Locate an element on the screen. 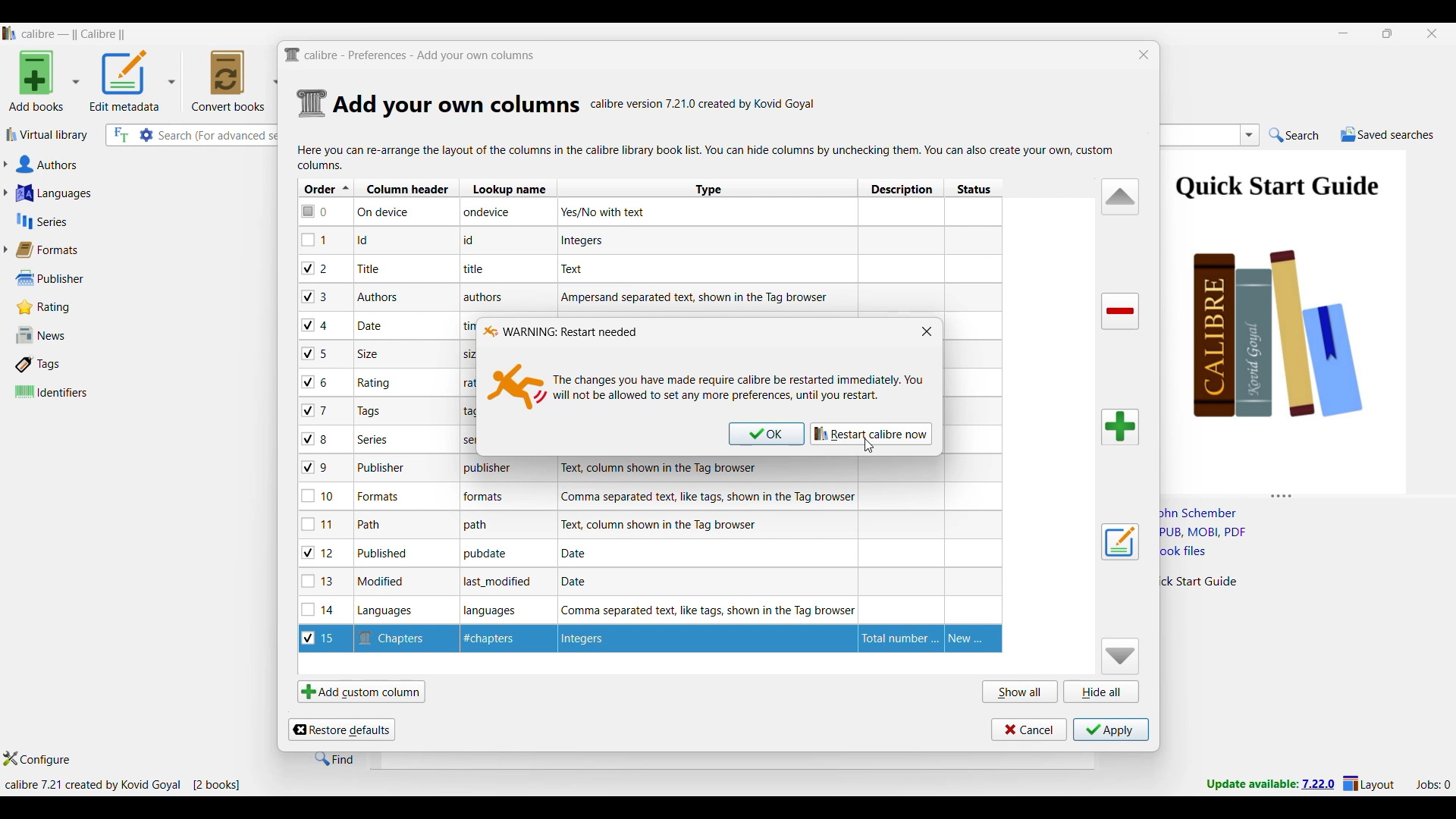 The height and width of the screenshot is (819, 1456). Note is located at coordinates (379, 468).